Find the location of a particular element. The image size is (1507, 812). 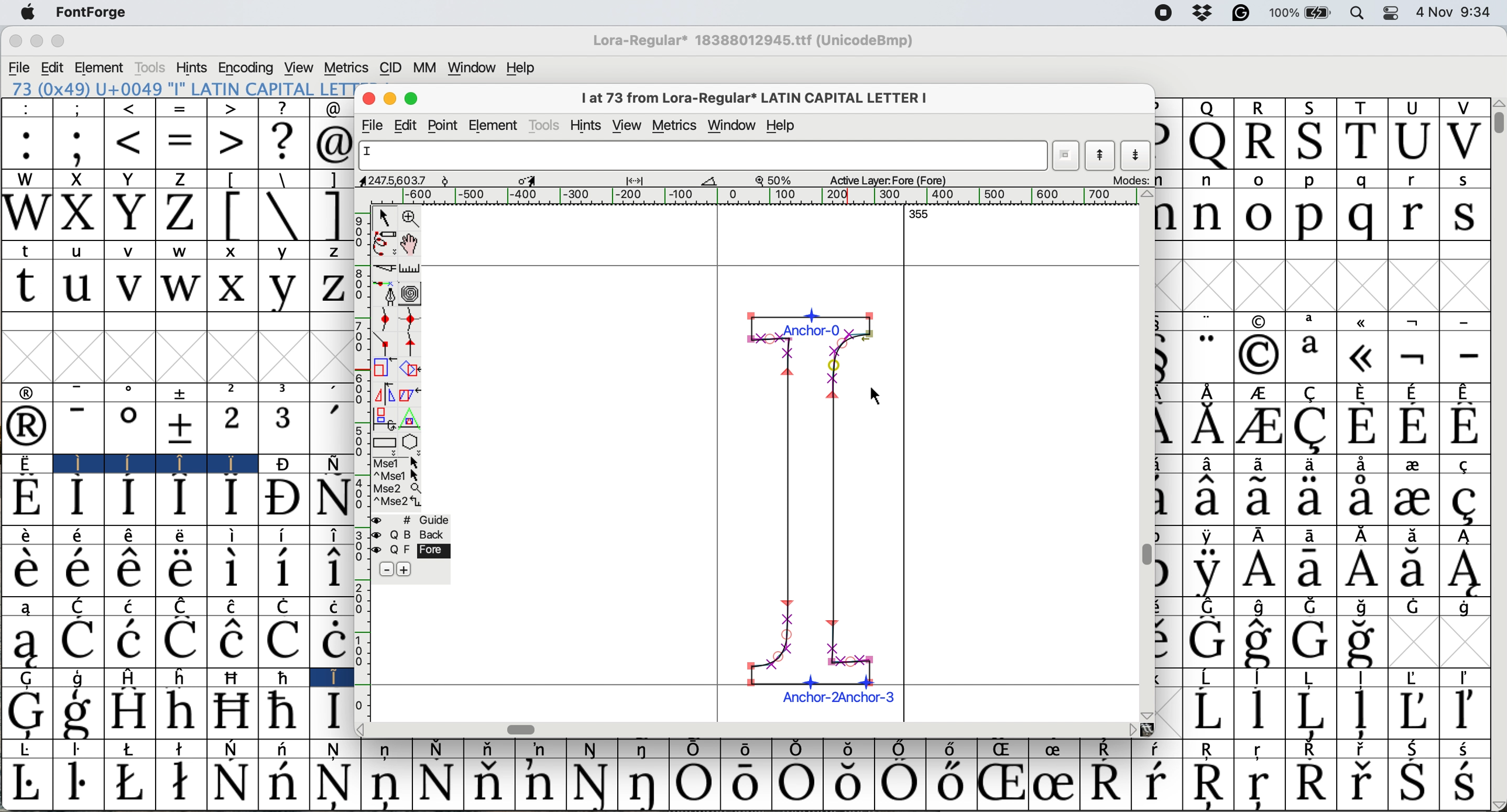

metrics is located at coordinates (675, 123).